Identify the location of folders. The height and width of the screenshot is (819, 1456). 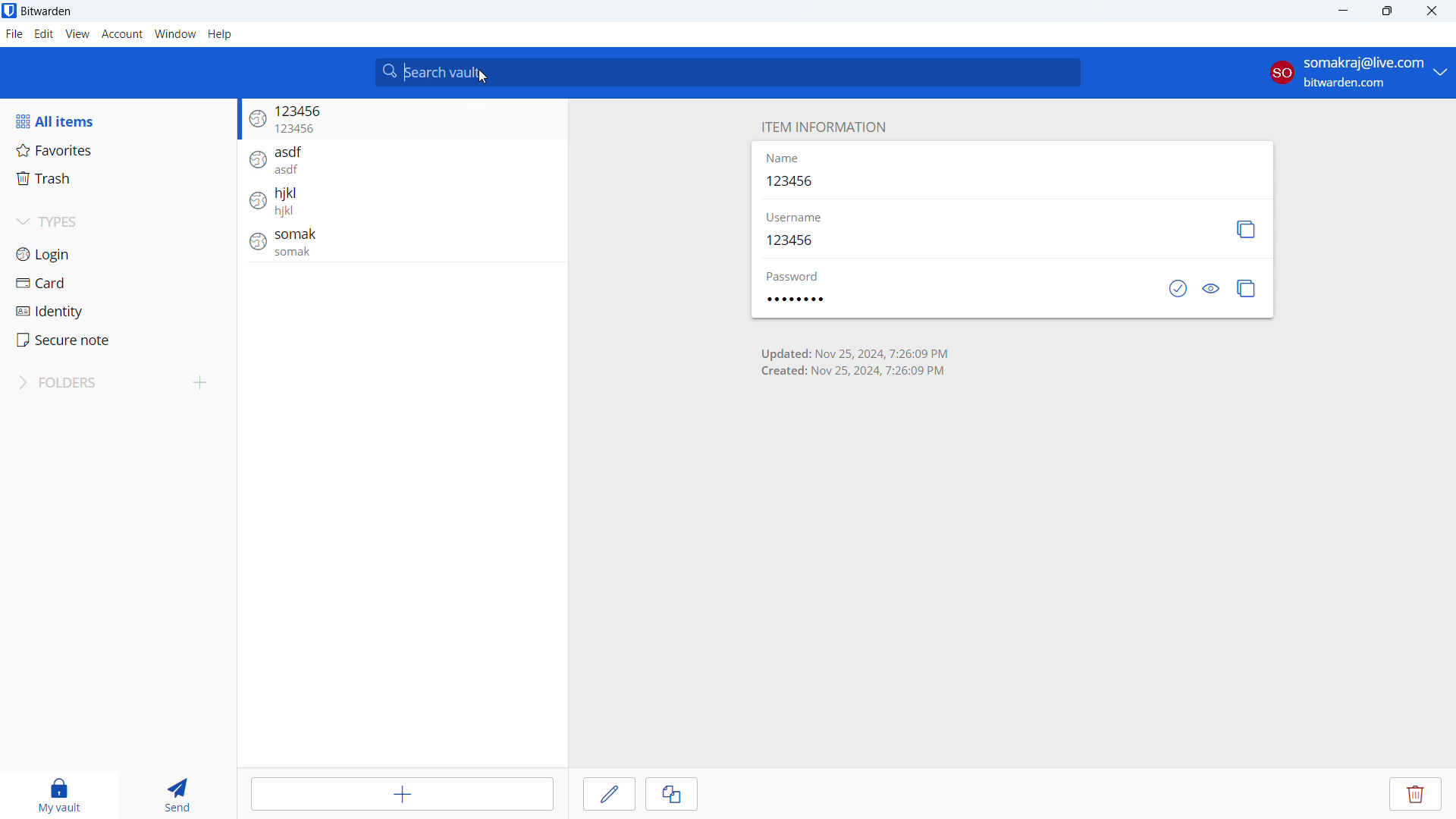
(94, 383).